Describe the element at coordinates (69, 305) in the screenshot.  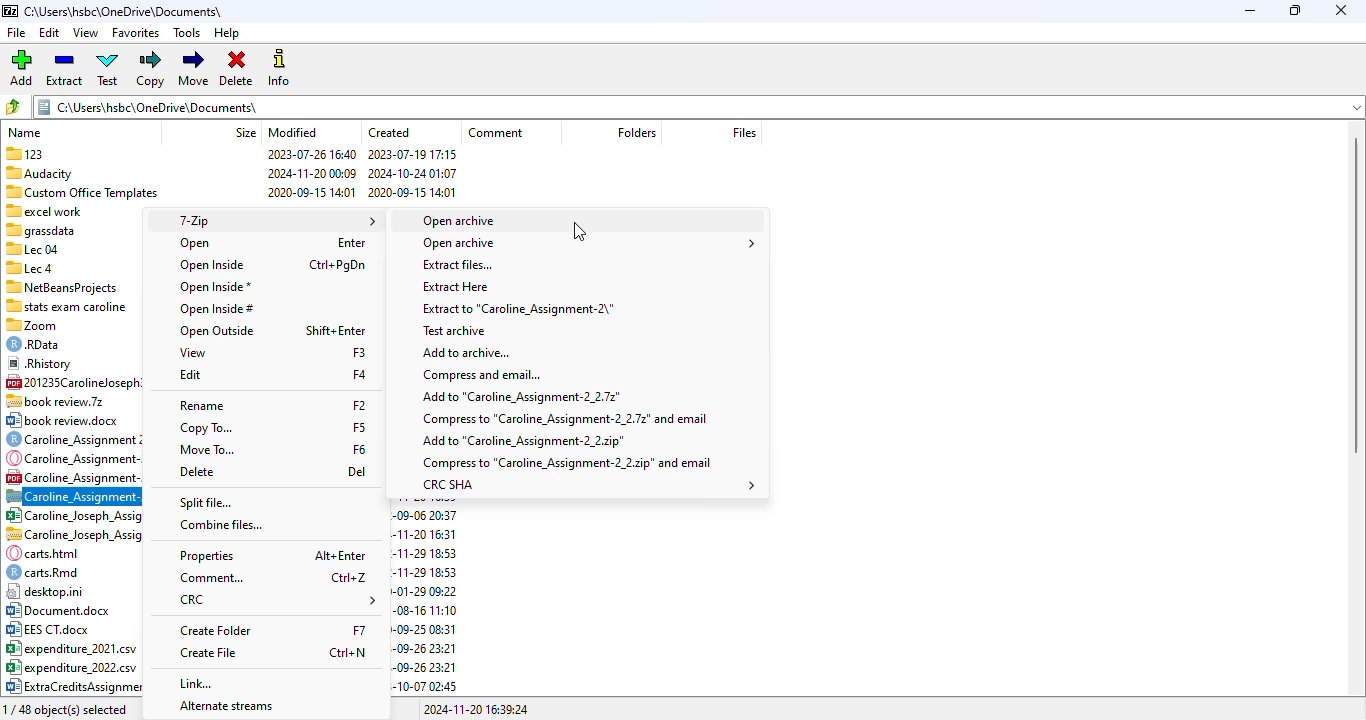
I see `1 stats exam caroline 2022-11-03 02:13 2022-11-03 02:12` at that location.